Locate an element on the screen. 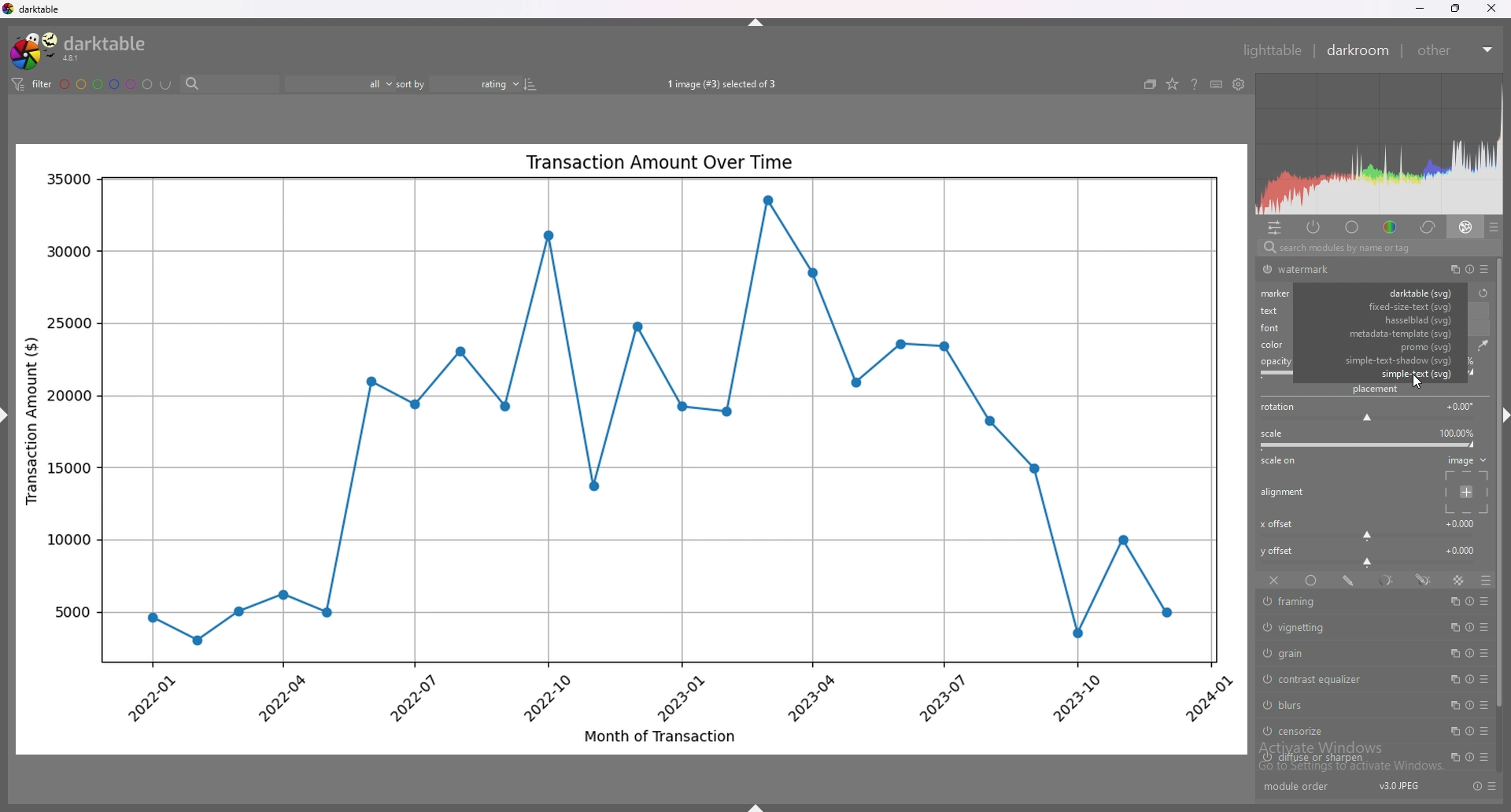 Image resolution: width=1511 pixels, height=812 pixels. x offset is located at coordinates (1462, 522).